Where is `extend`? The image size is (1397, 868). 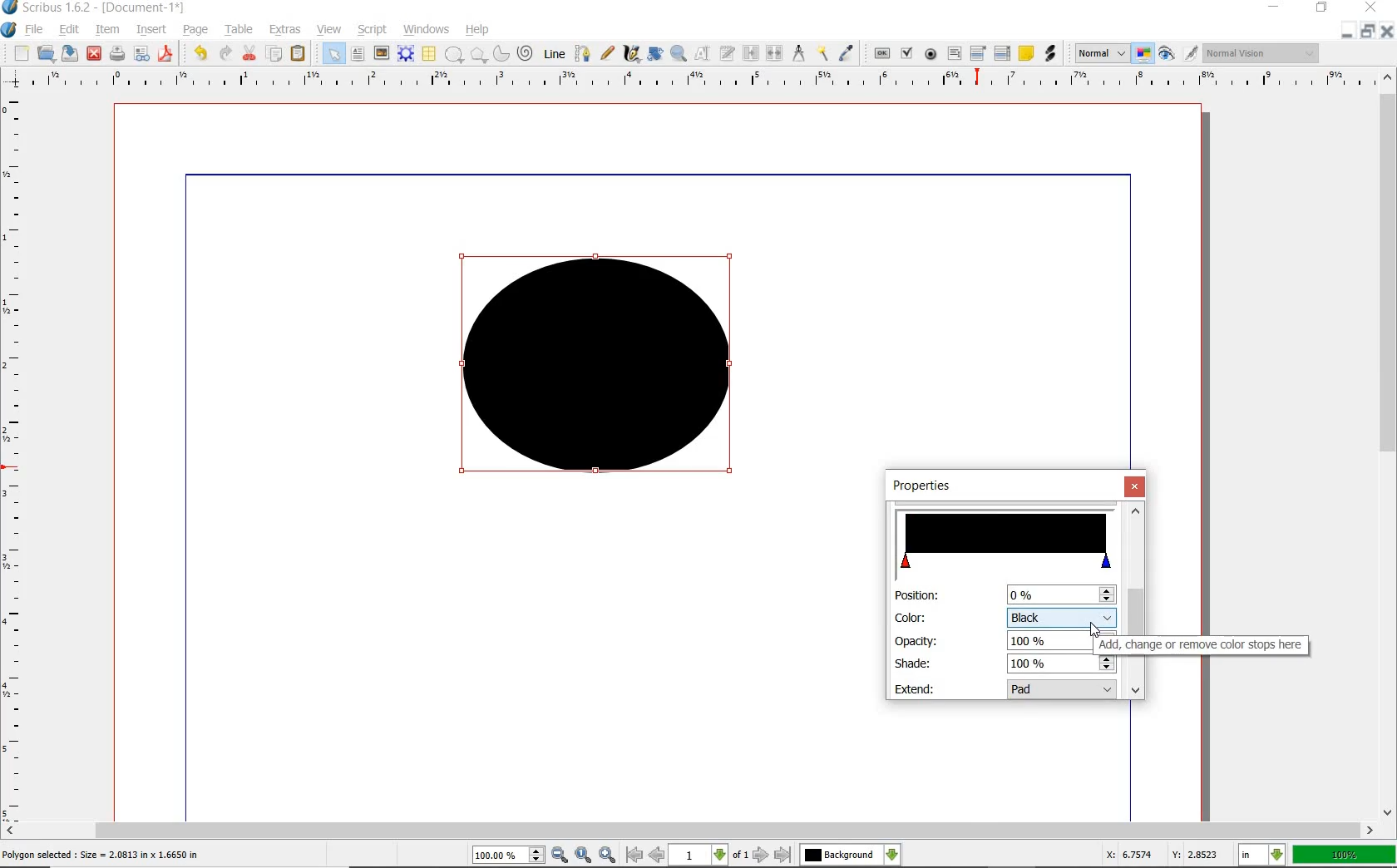
extend is located at coordinates (916, 688).